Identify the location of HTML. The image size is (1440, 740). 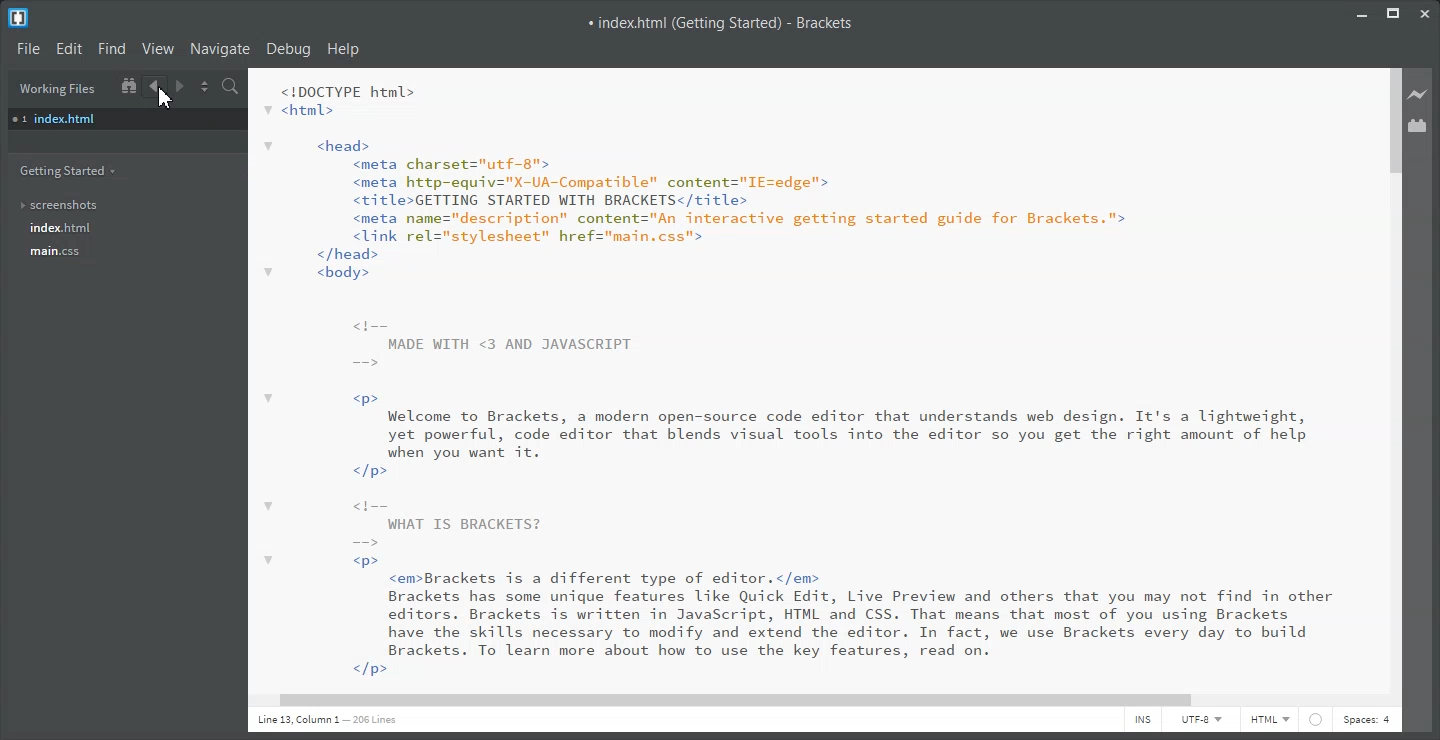
(1270, 721).